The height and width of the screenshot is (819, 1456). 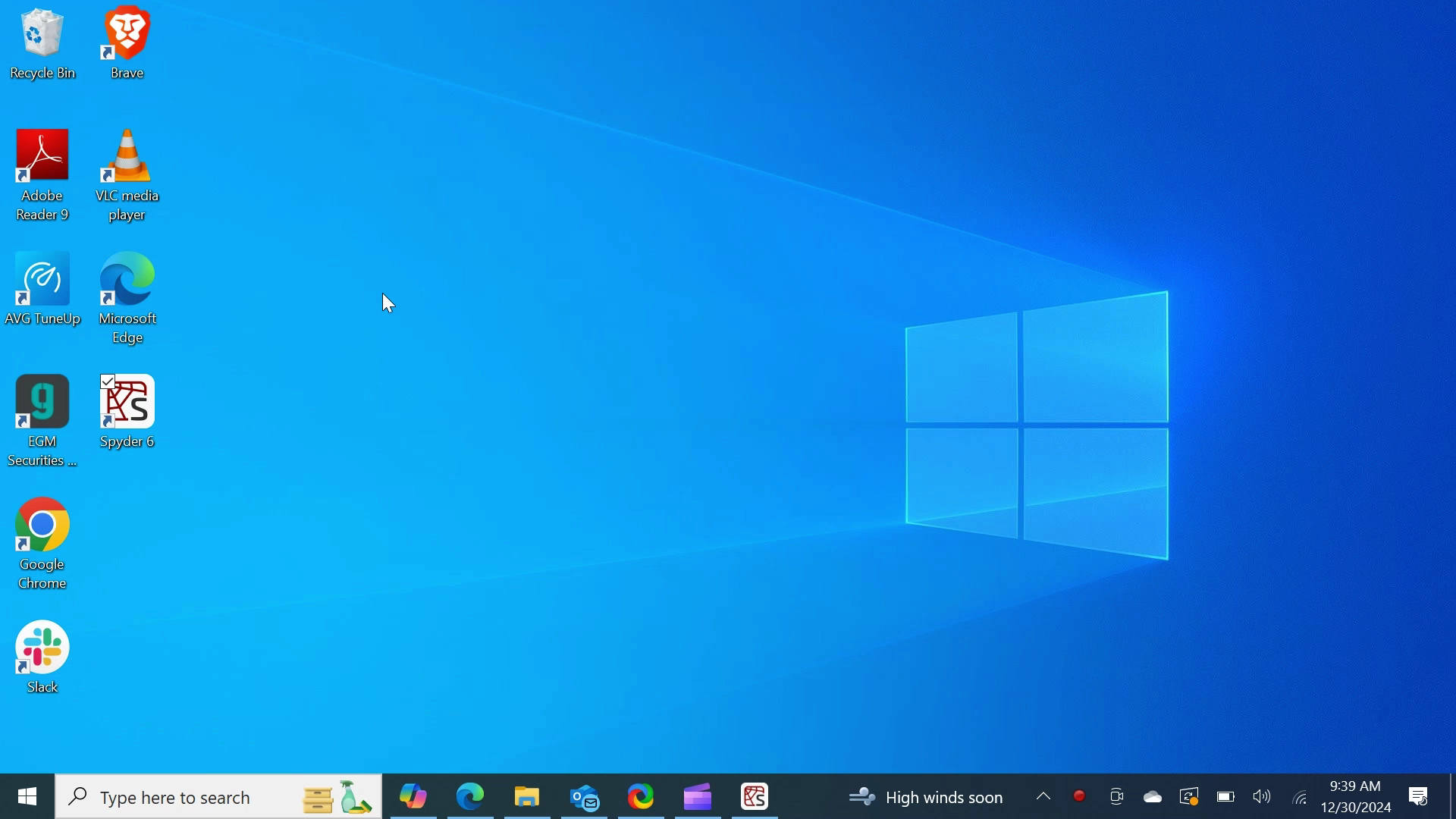 What do you see at coordinates (1043, 797) in the screenshot?
I see `show hidden icons` at bounding box center [1043, 797].